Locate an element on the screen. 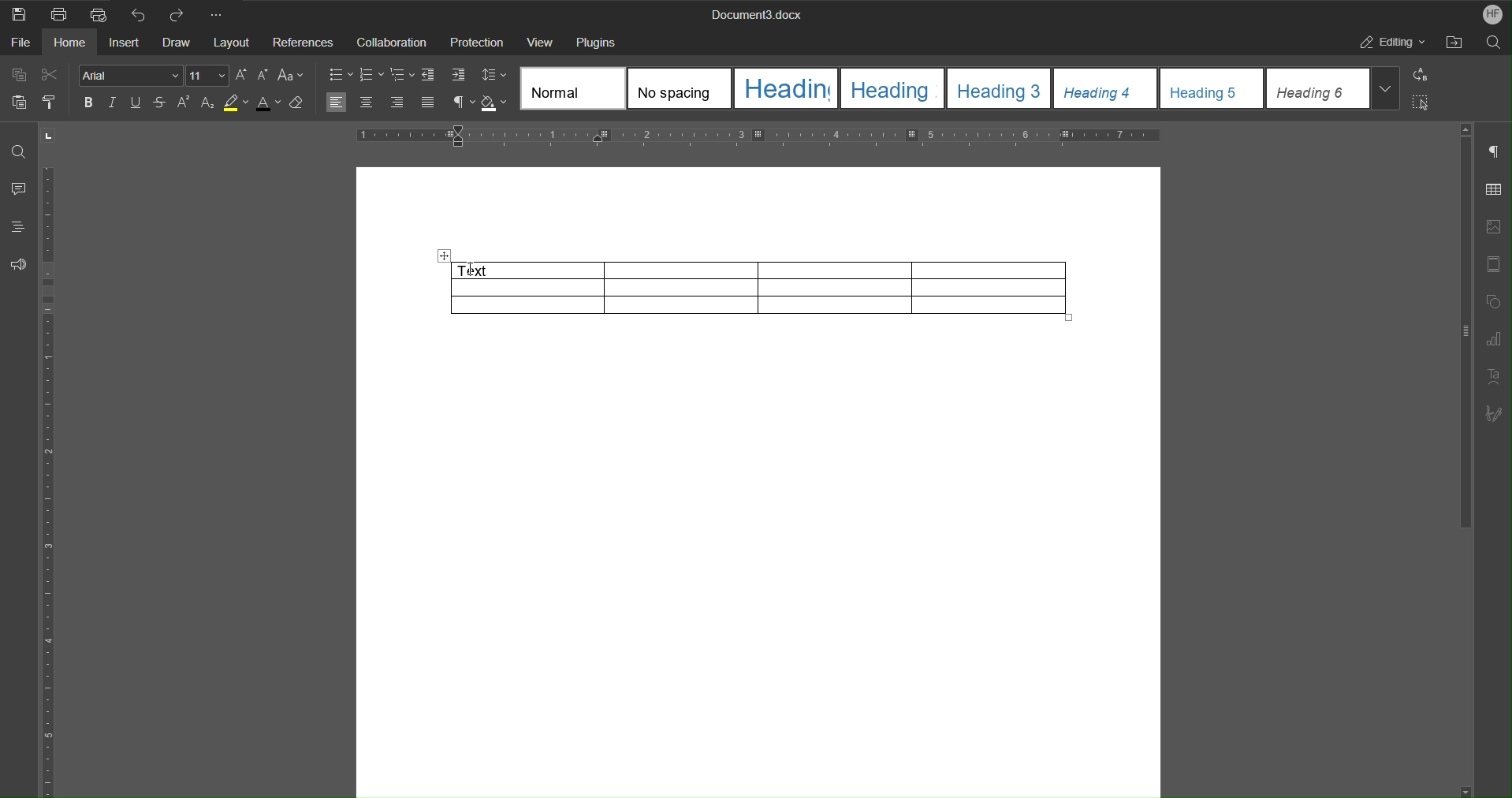  scroll up is located at coordinates (1465, 129).